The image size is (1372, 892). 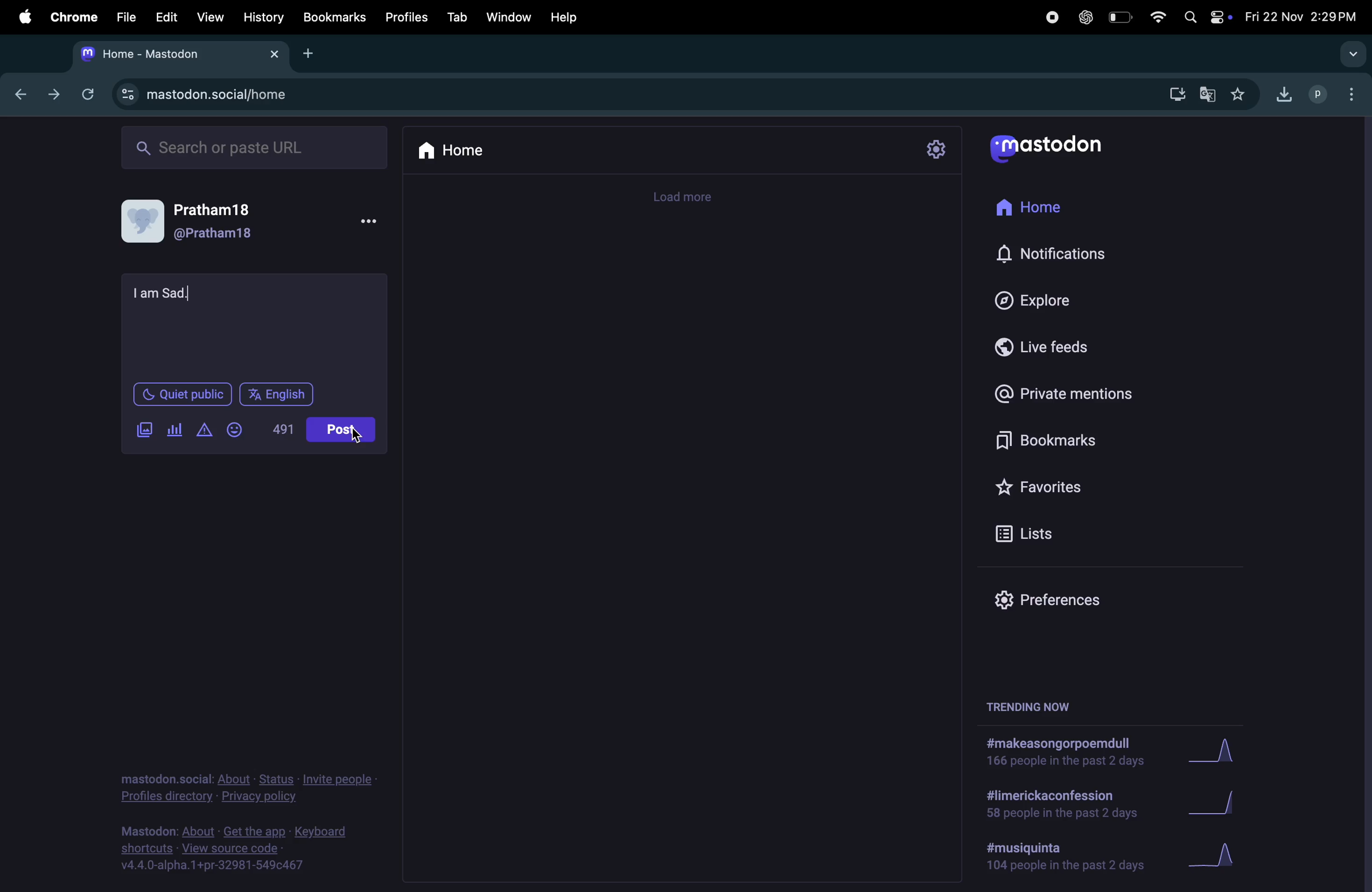 What do you see at coordinates (1223, 750) in the screenshot?
I see `graph` at bounding box center [1223, 750].